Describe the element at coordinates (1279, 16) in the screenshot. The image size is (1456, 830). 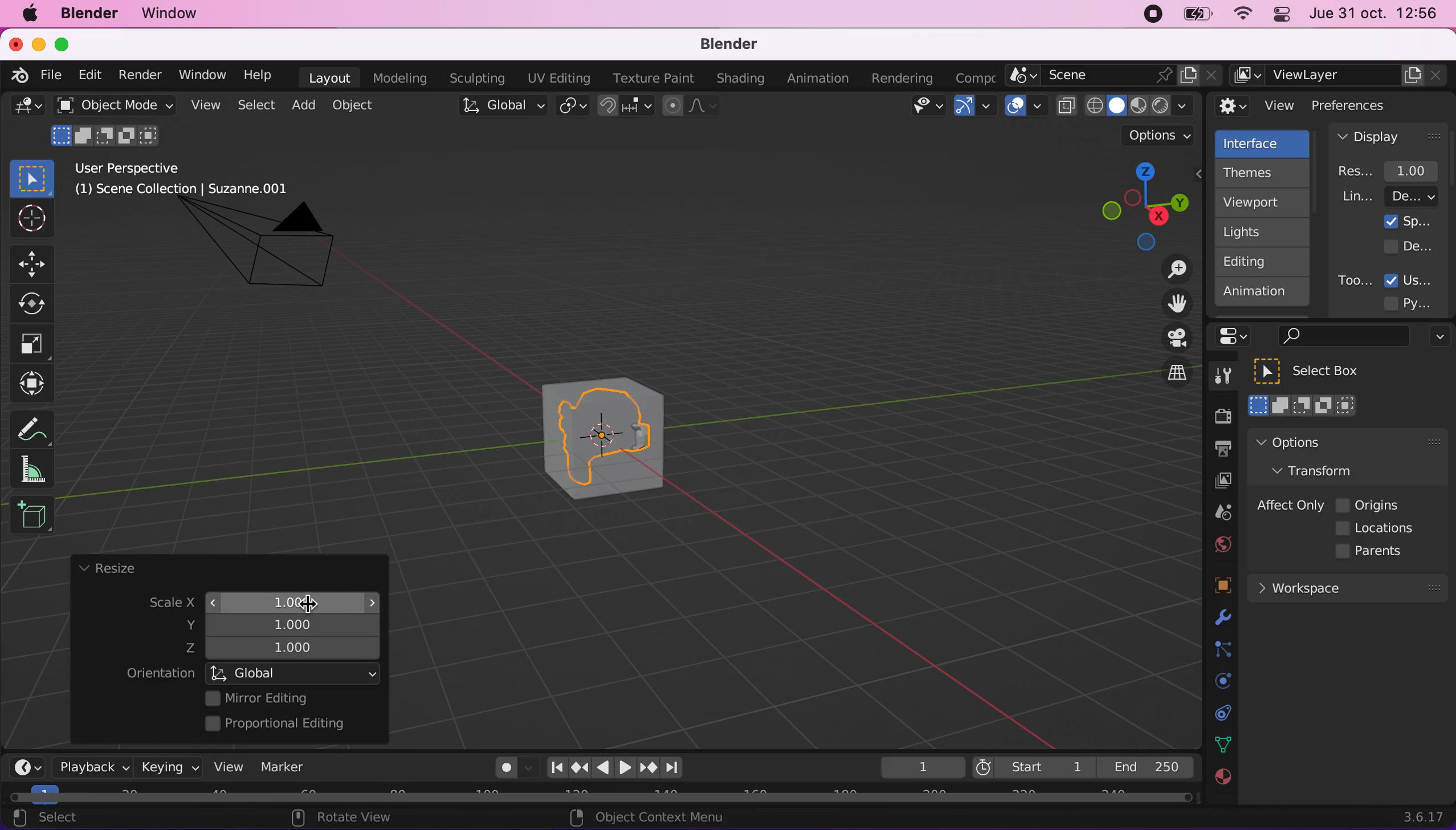
I see `panel control` at that location.